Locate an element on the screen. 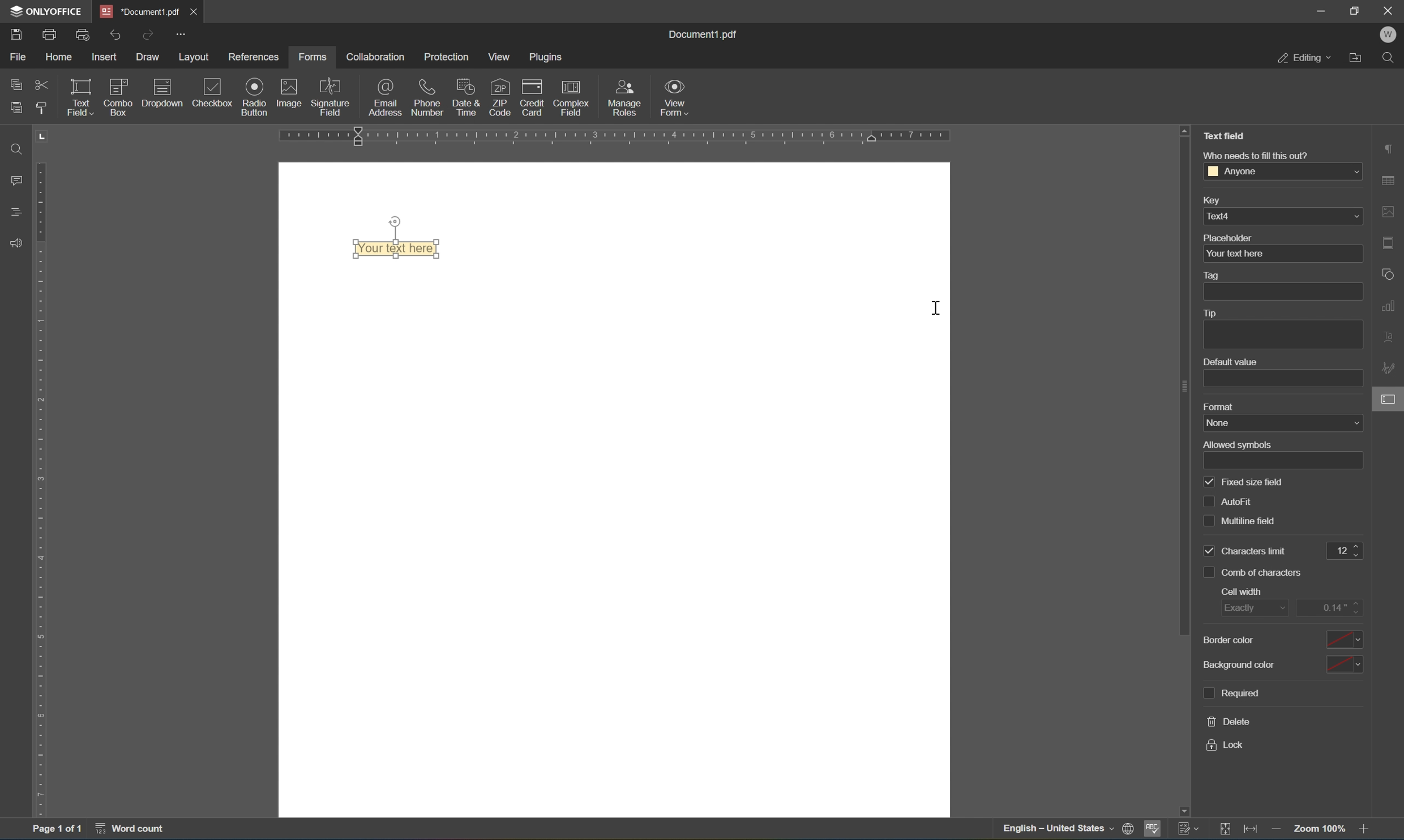  format is located at coordinates (1219, 406).